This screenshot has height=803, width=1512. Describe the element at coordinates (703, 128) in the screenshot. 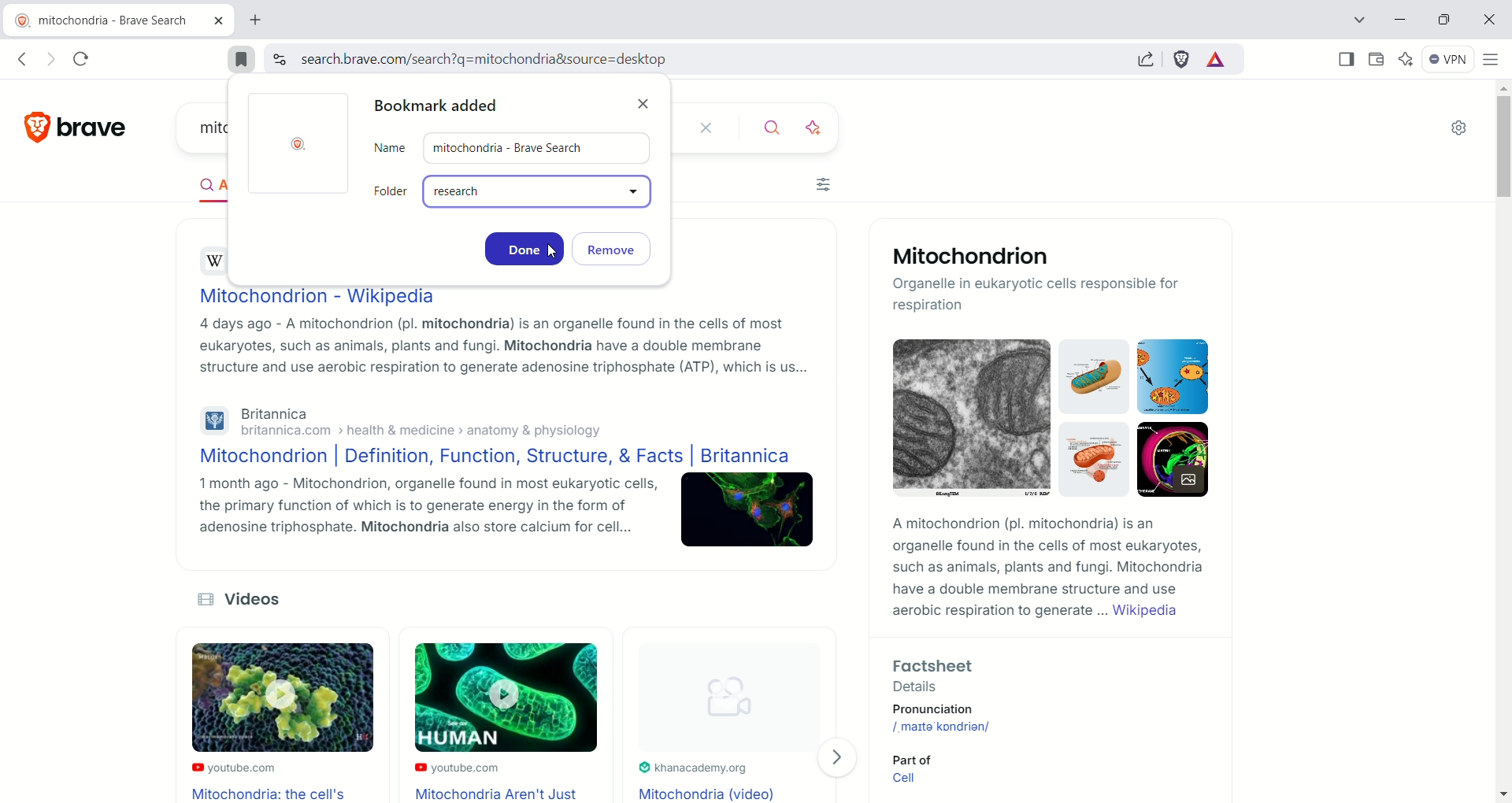

I see `close` at that location.